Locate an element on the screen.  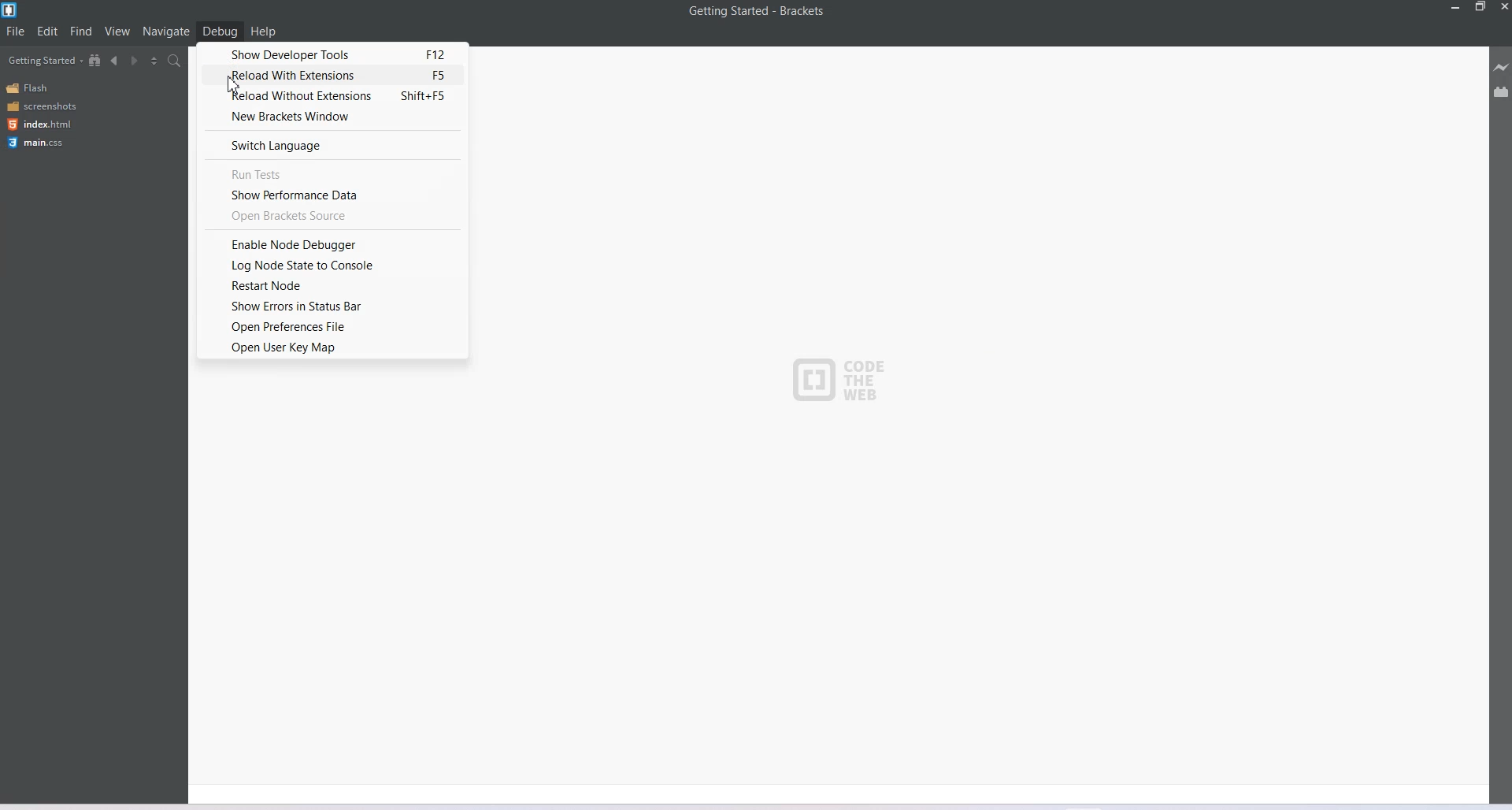
Show performance data is located at coordinates (332, 194).